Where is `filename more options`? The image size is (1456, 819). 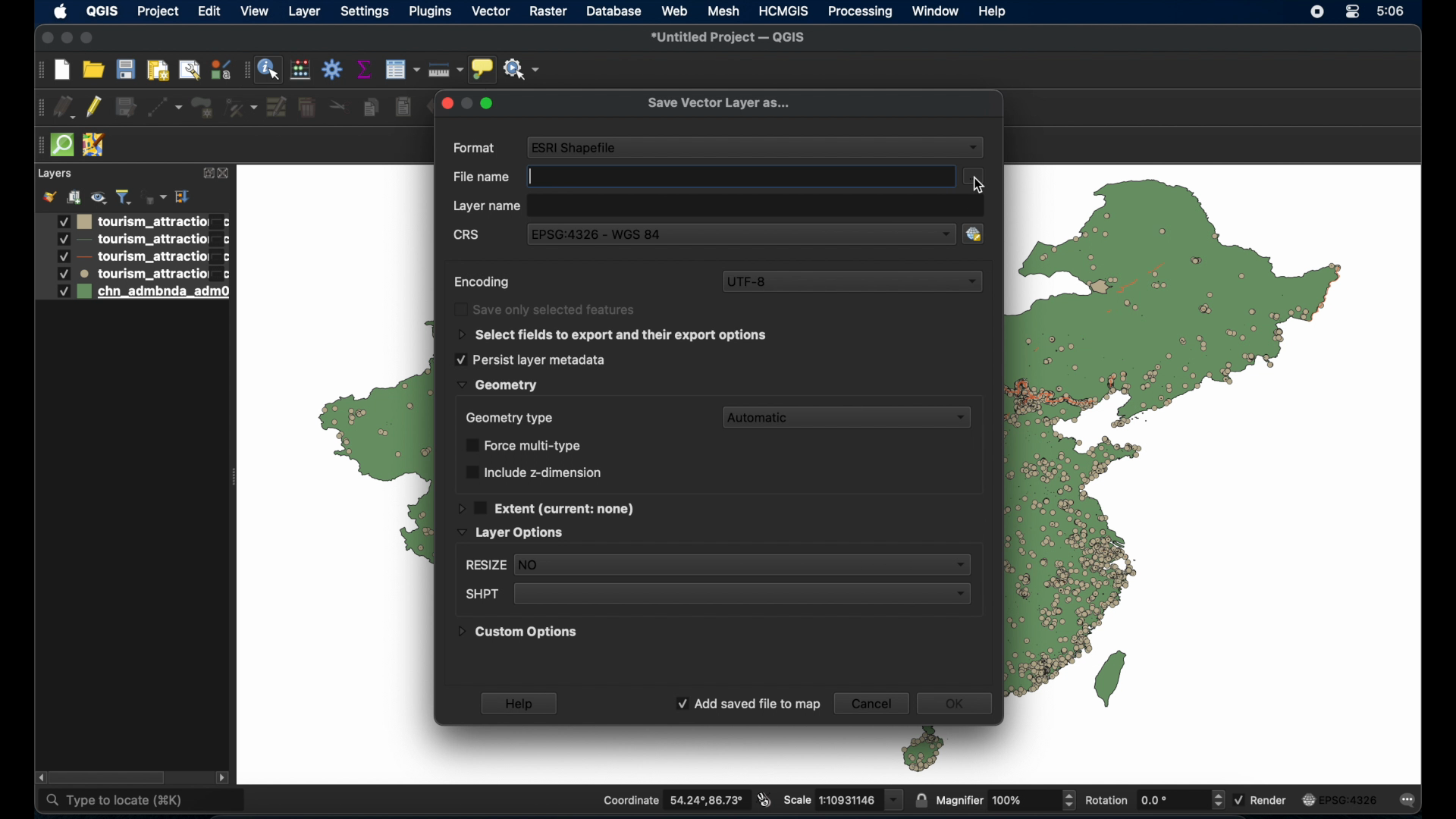 filename more options is located at coordinates (974, 174).